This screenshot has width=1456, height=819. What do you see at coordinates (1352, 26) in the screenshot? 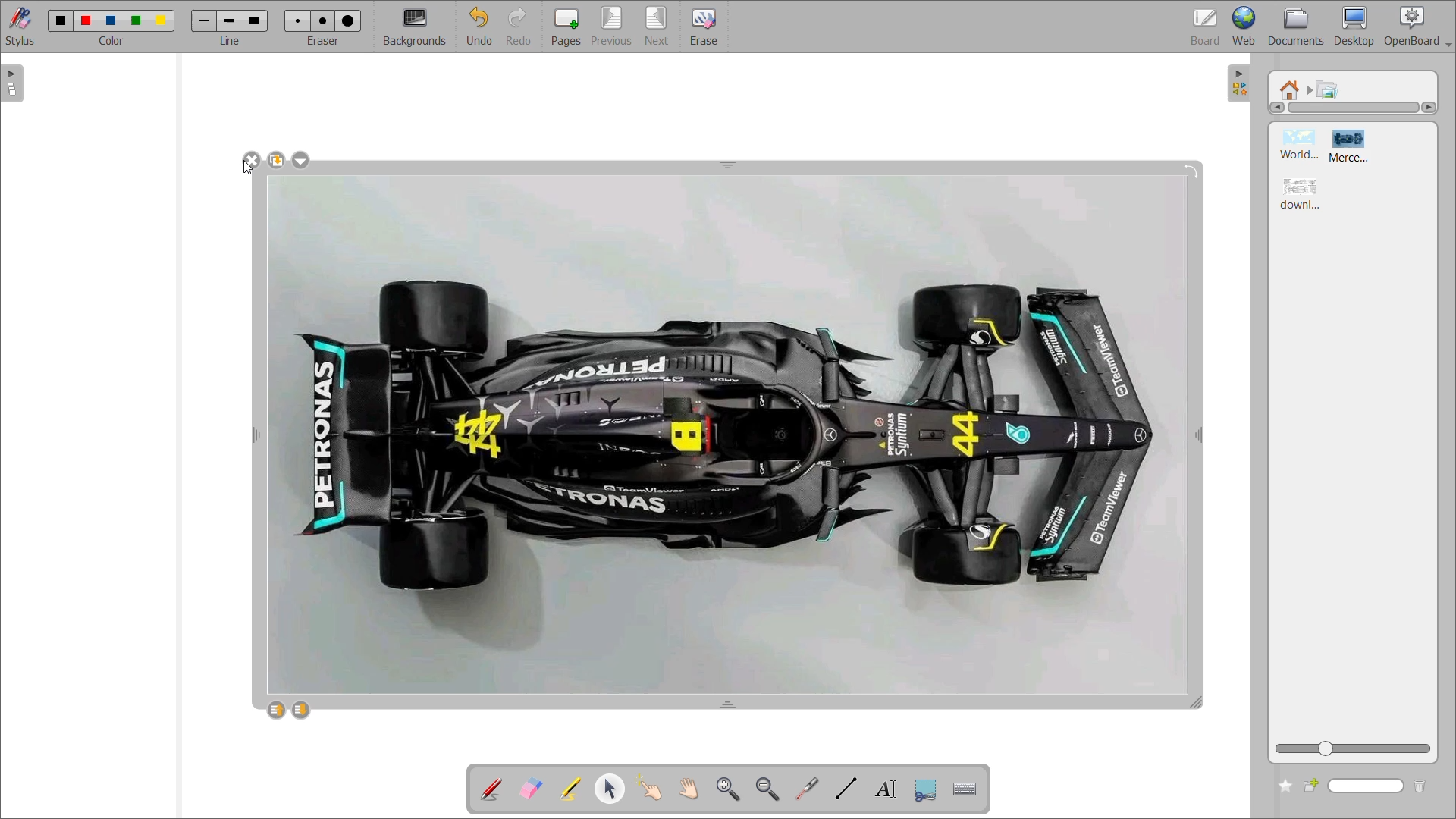
I see `desktop` at bounding box center [1352, 26].